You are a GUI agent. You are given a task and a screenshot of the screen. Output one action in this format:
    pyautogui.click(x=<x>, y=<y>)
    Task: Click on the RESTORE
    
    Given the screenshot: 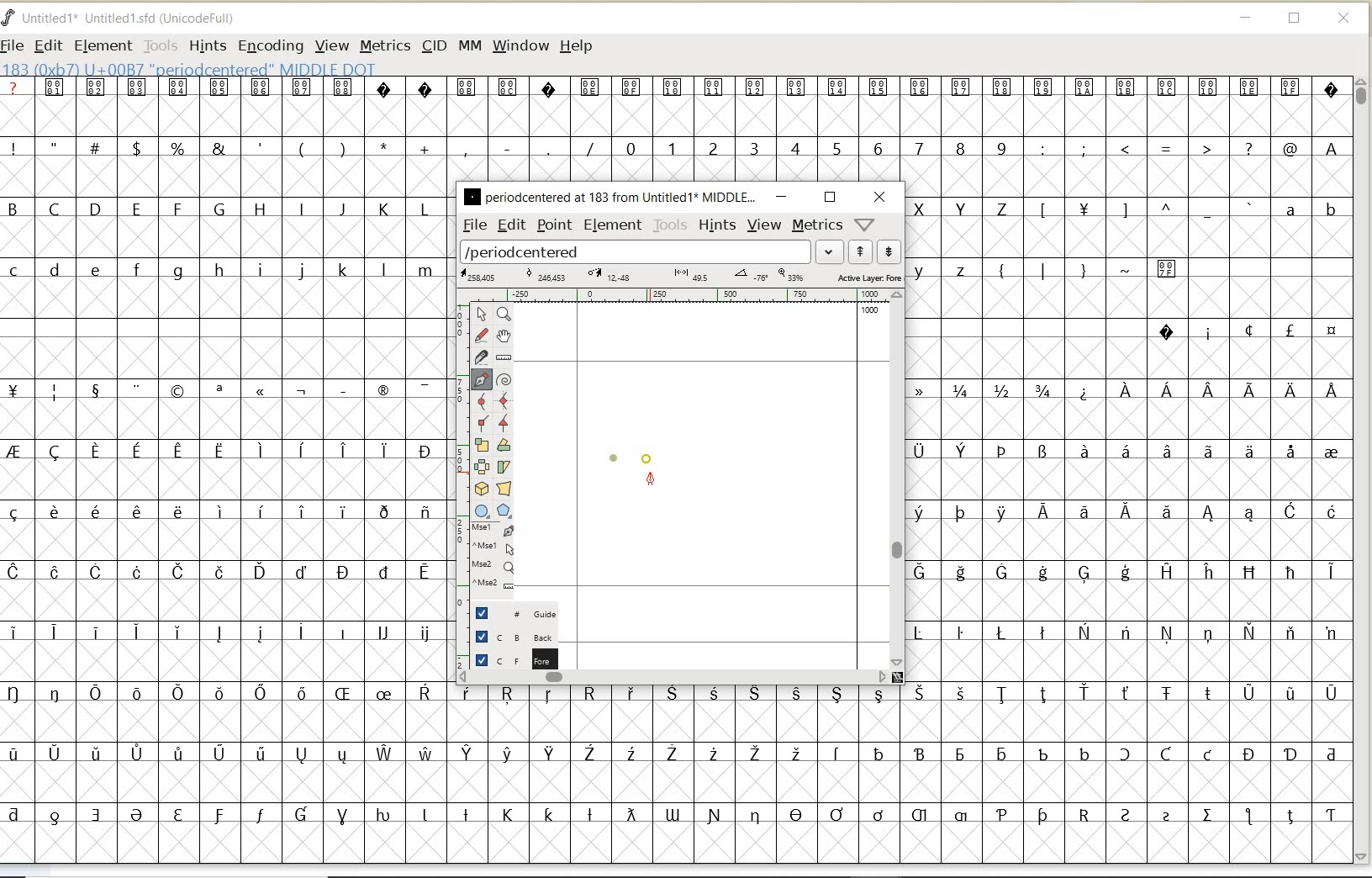 What is the action you would take?
    pyautogui.click(x=1295, y=21)
    